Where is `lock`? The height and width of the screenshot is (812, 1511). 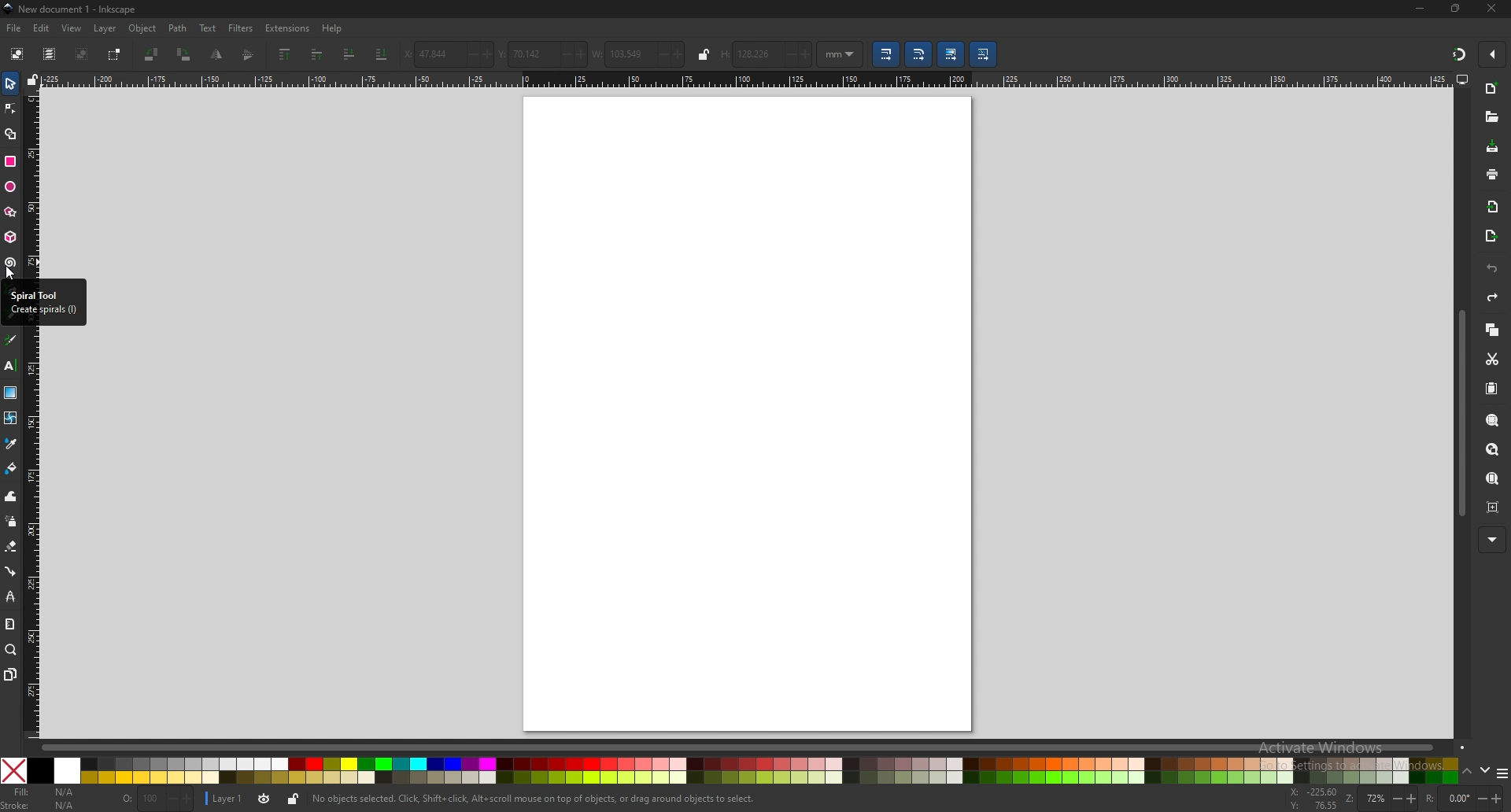
lock is located at coordinates (294, 801).